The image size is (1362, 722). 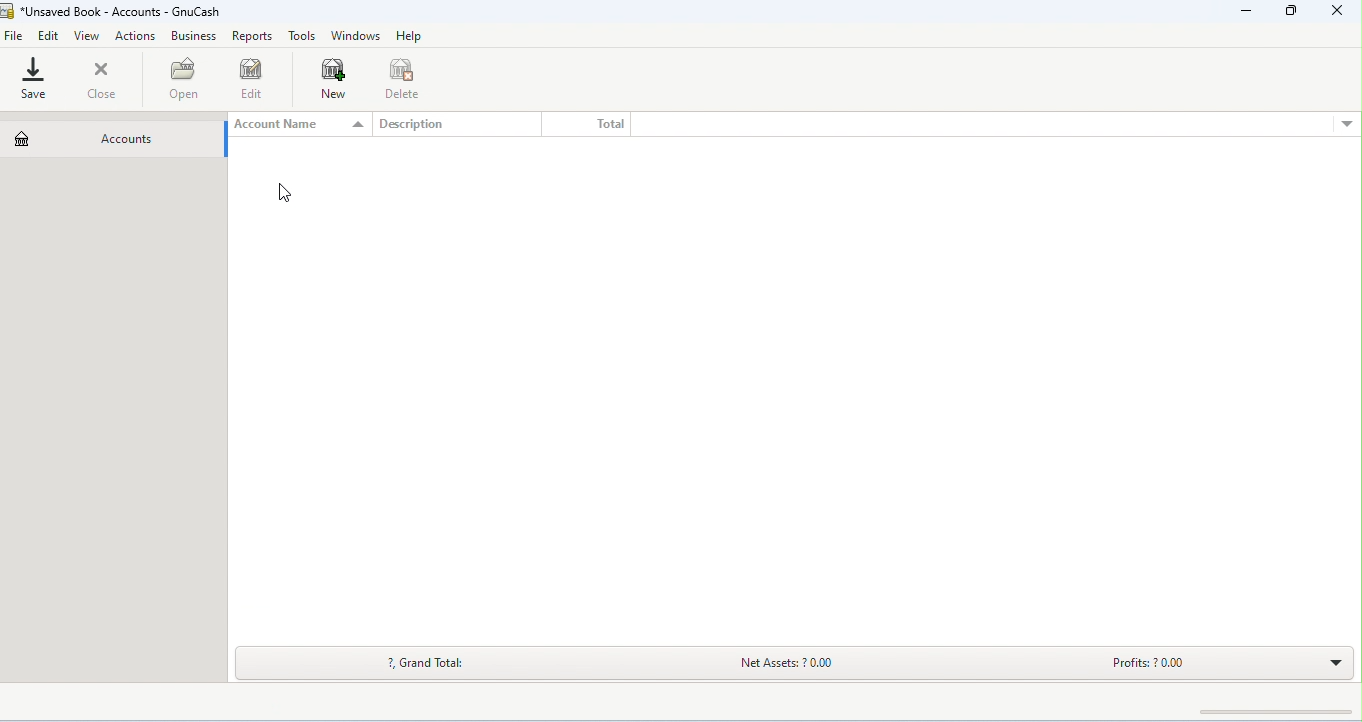 I want to click on file, so click(x=14, y=37).